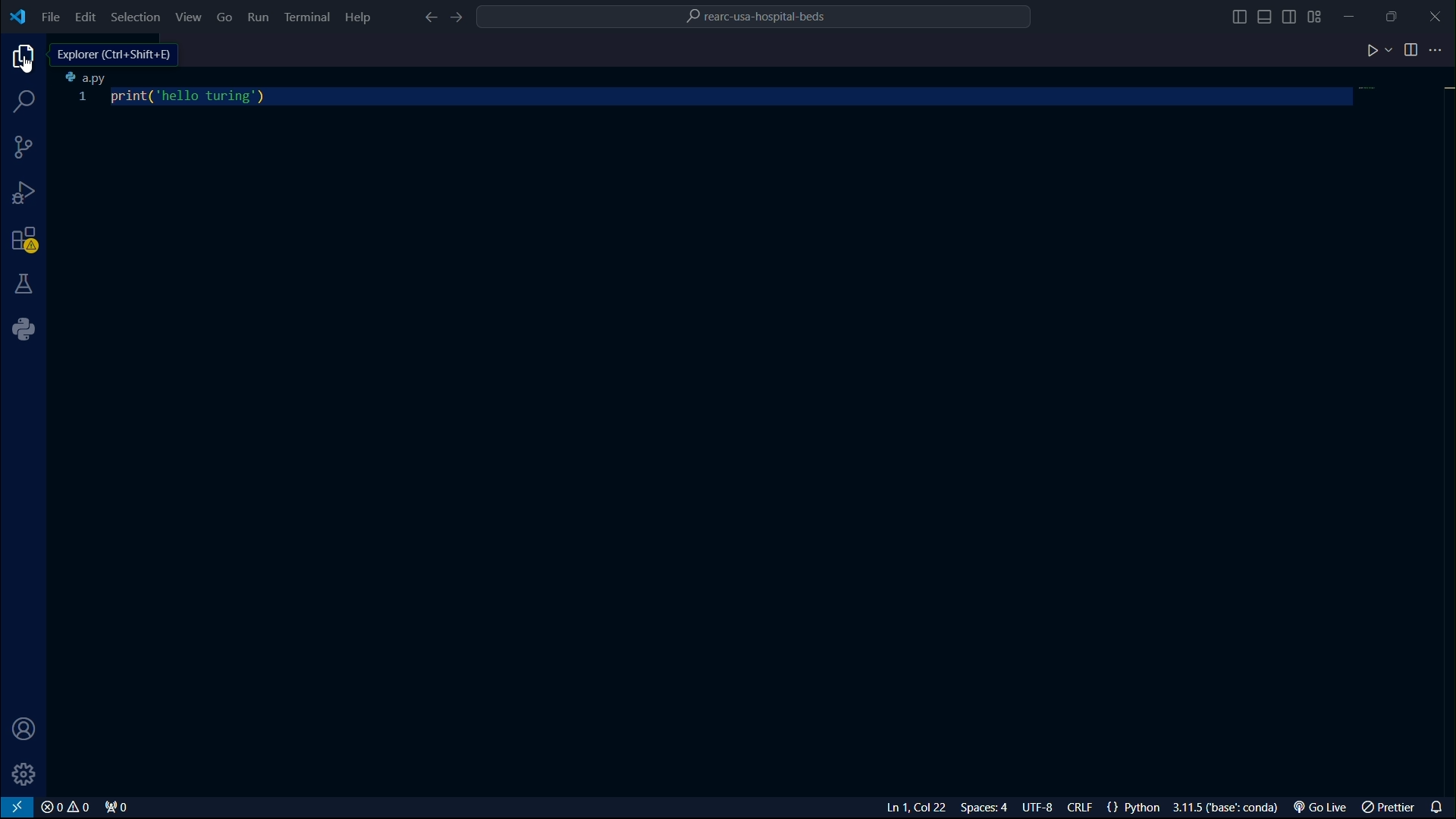  I want to click on CRLF, so click(1082, 807).